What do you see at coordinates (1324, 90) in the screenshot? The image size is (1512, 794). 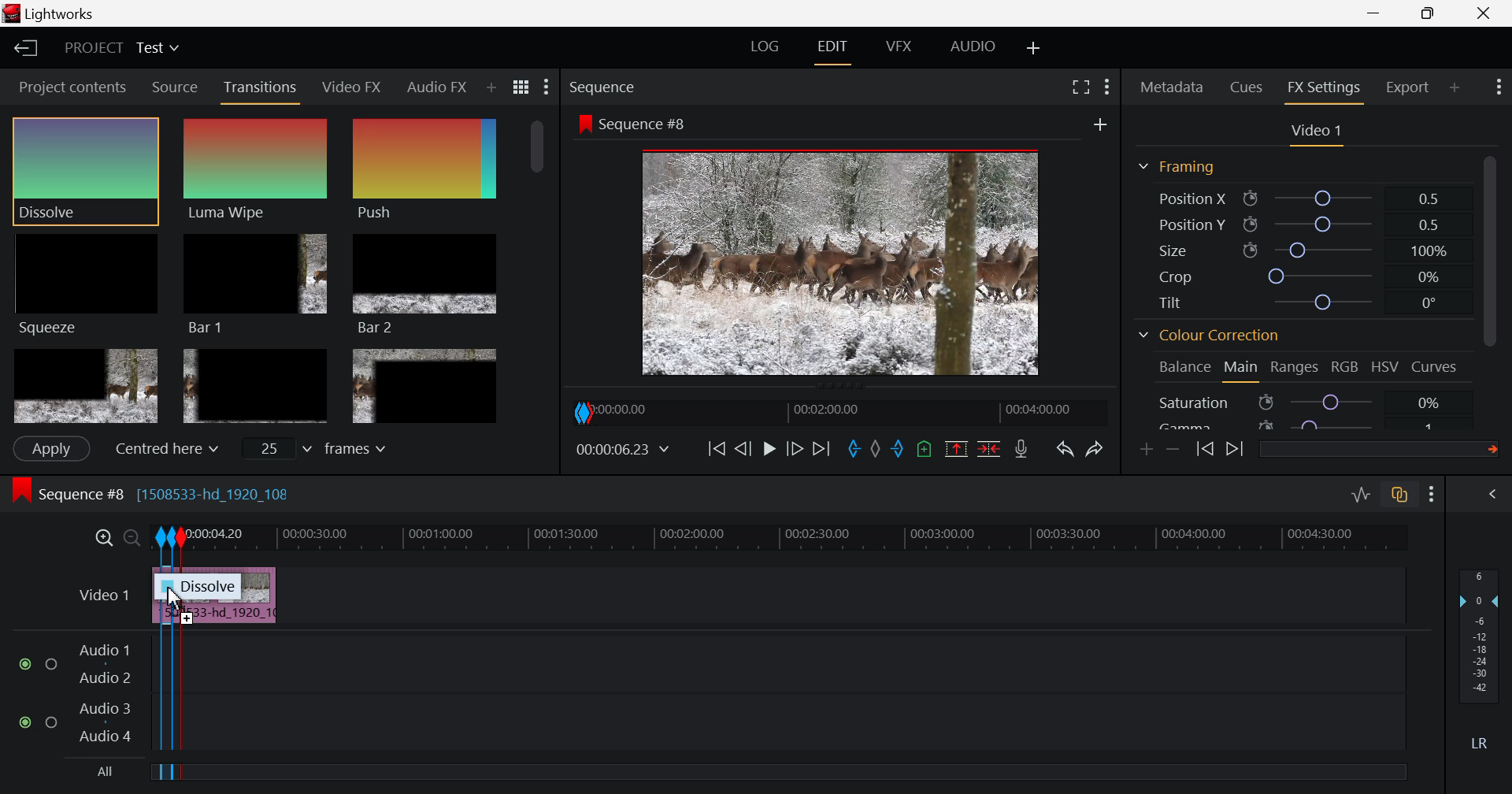 I see `FX Settings Open` at bounding box center [1324, 90].